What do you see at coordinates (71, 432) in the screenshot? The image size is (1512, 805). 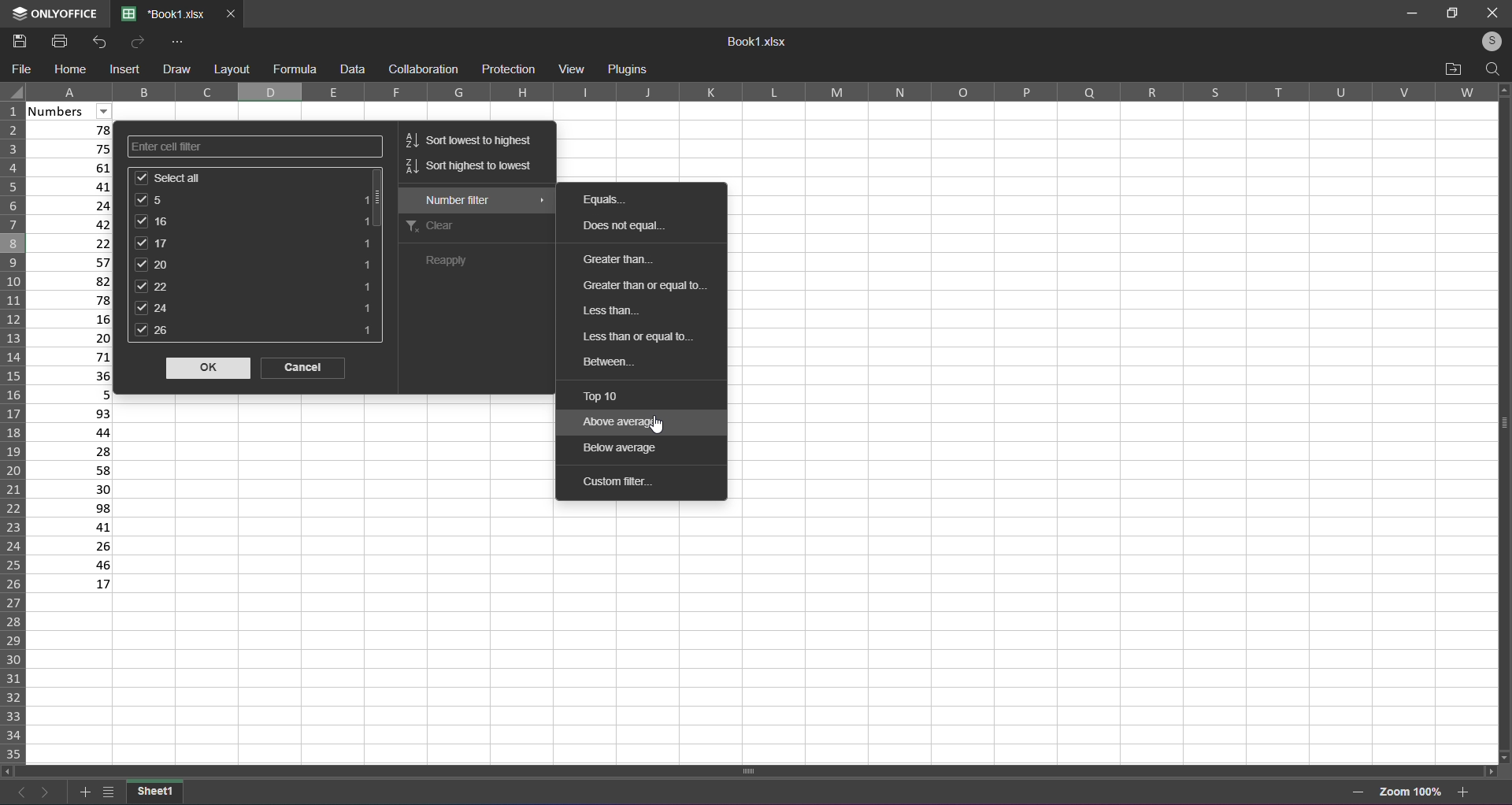 I see `44` at bounding box center [71, 432].